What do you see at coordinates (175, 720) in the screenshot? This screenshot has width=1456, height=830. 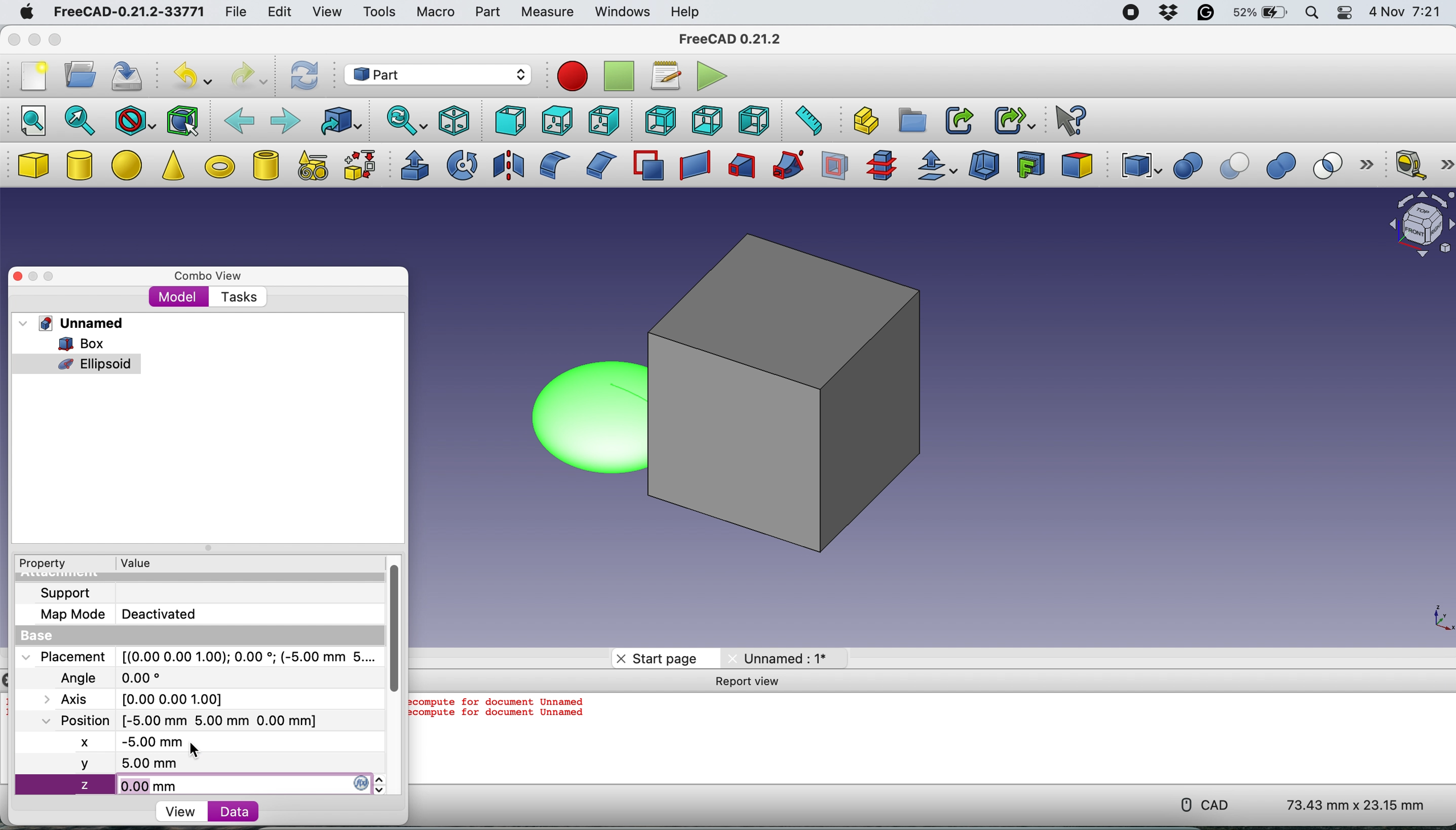 I see `Position [-5.00 mm 0.00 mm 0.00 mm]` at bounding box center [175, 720].